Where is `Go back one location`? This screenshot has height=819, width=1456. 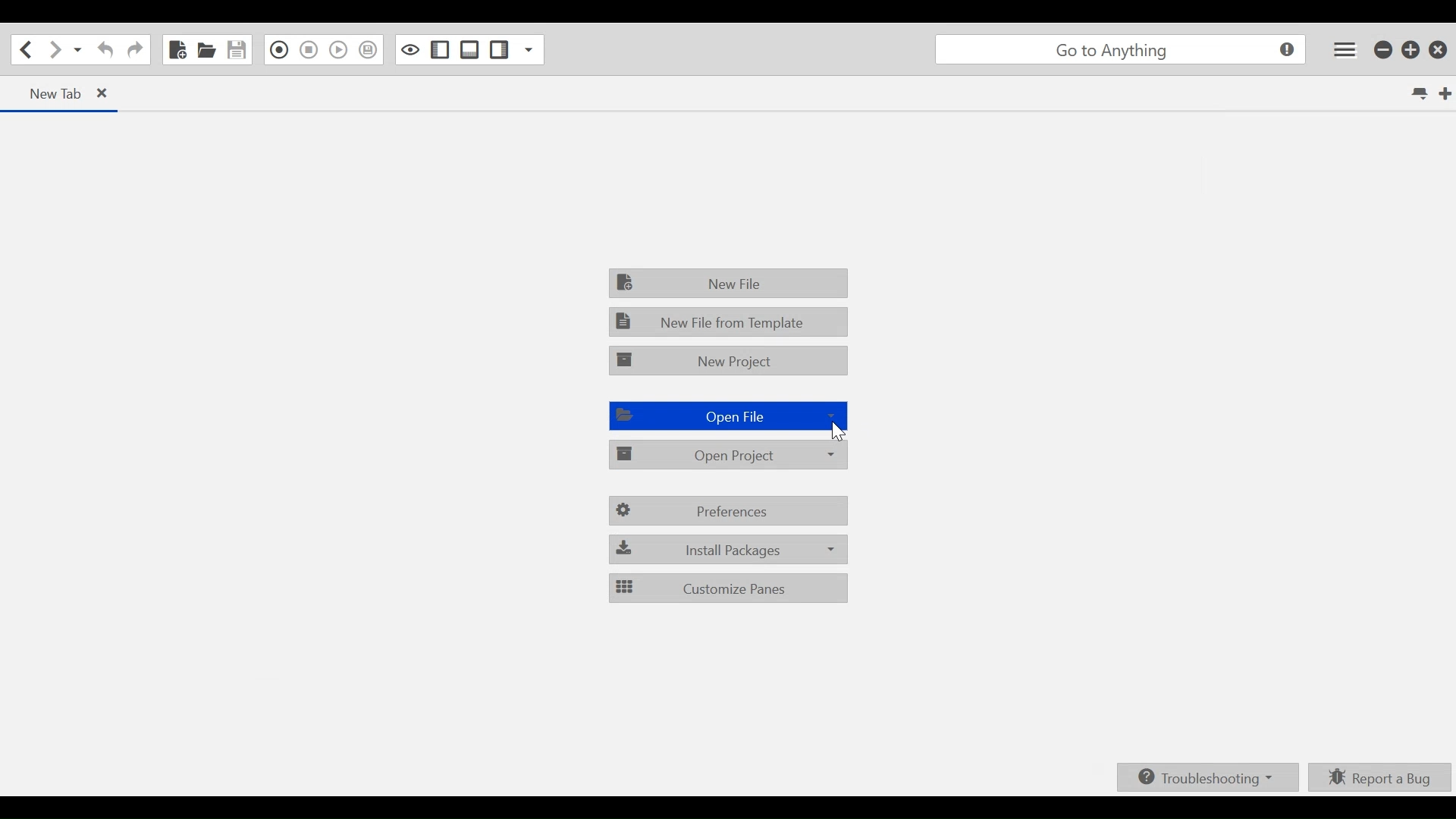 Go back one location is located at coordinates (22, 49).